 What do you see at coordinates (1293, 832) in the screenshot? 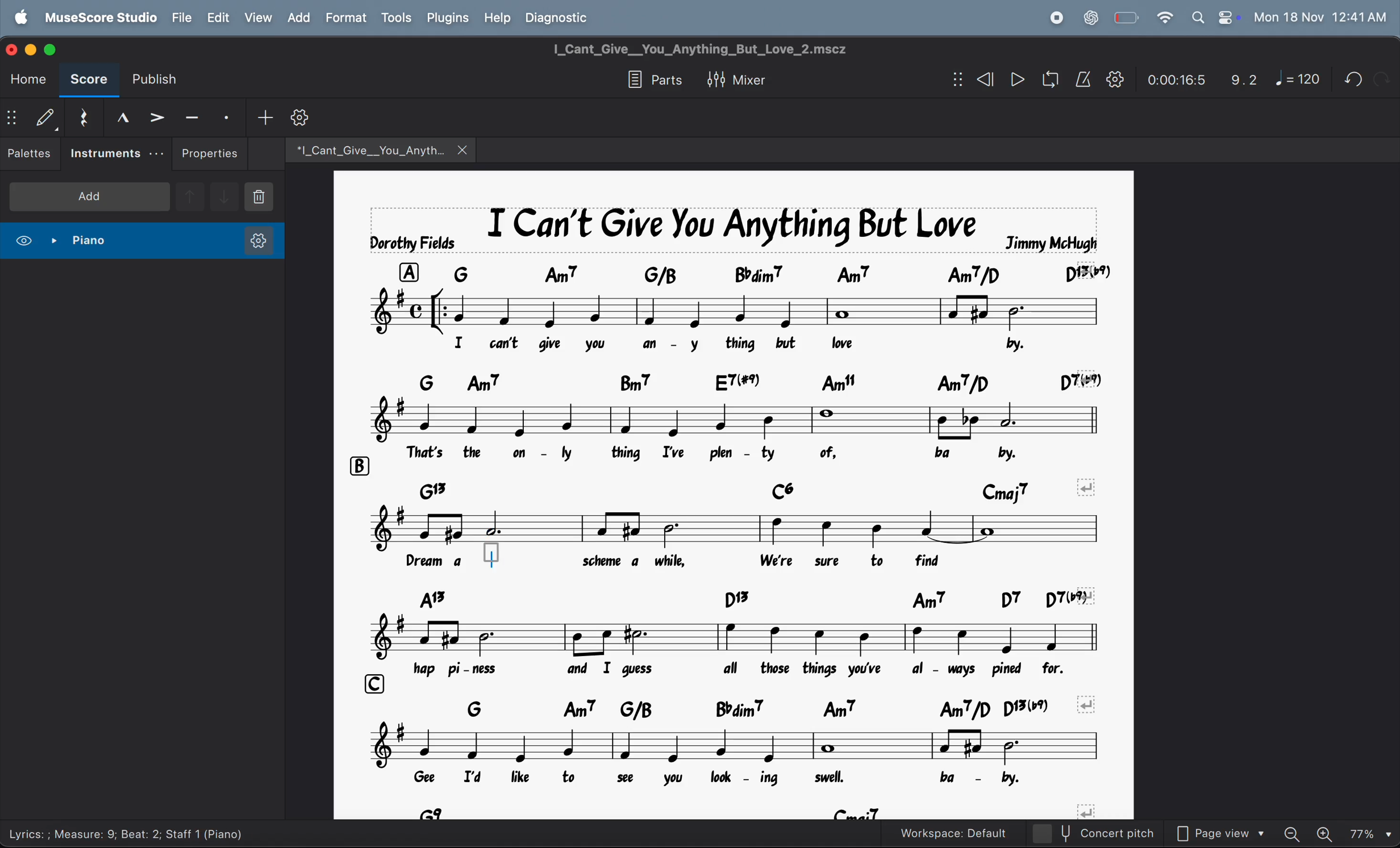
I see `zoom out` at bounding box center [1293, 832].